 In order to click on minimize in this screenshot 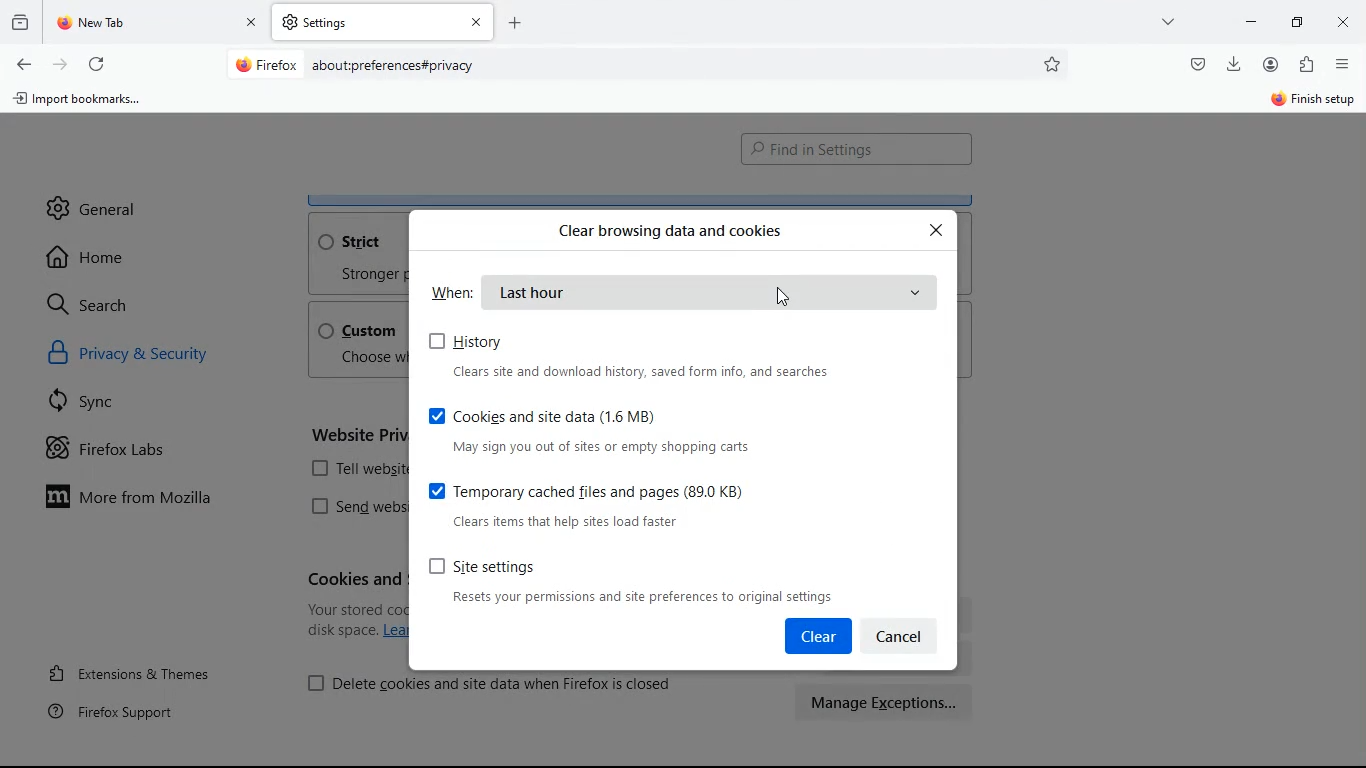, I will do `click(1302, 21)`.